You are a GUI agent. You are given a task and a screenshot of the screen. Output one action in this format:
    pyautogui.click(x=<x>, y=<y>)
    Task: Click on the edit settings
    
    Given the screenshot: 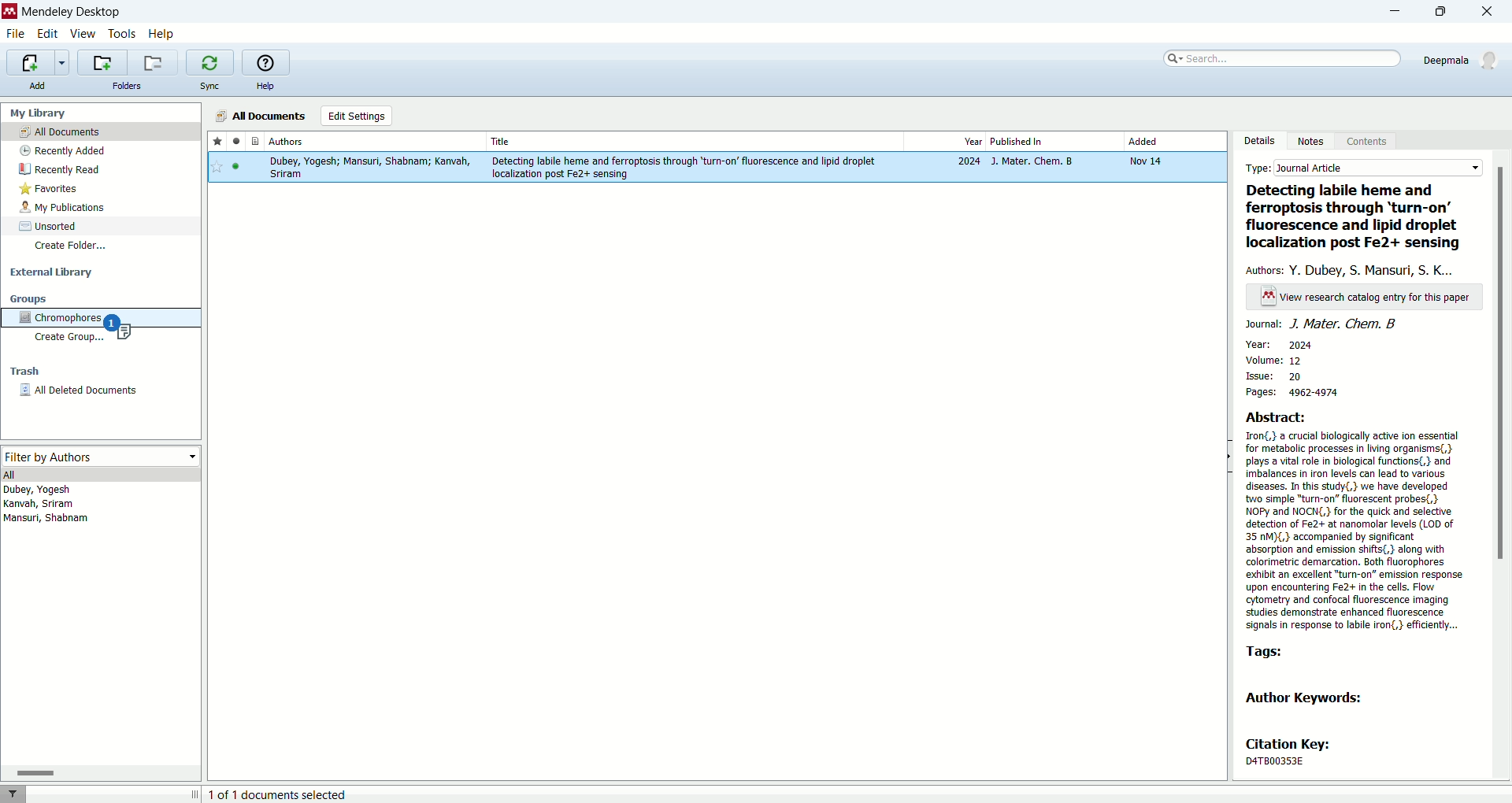 What is the action you would take?
    pyautogui.click(x=356, y=116)
    